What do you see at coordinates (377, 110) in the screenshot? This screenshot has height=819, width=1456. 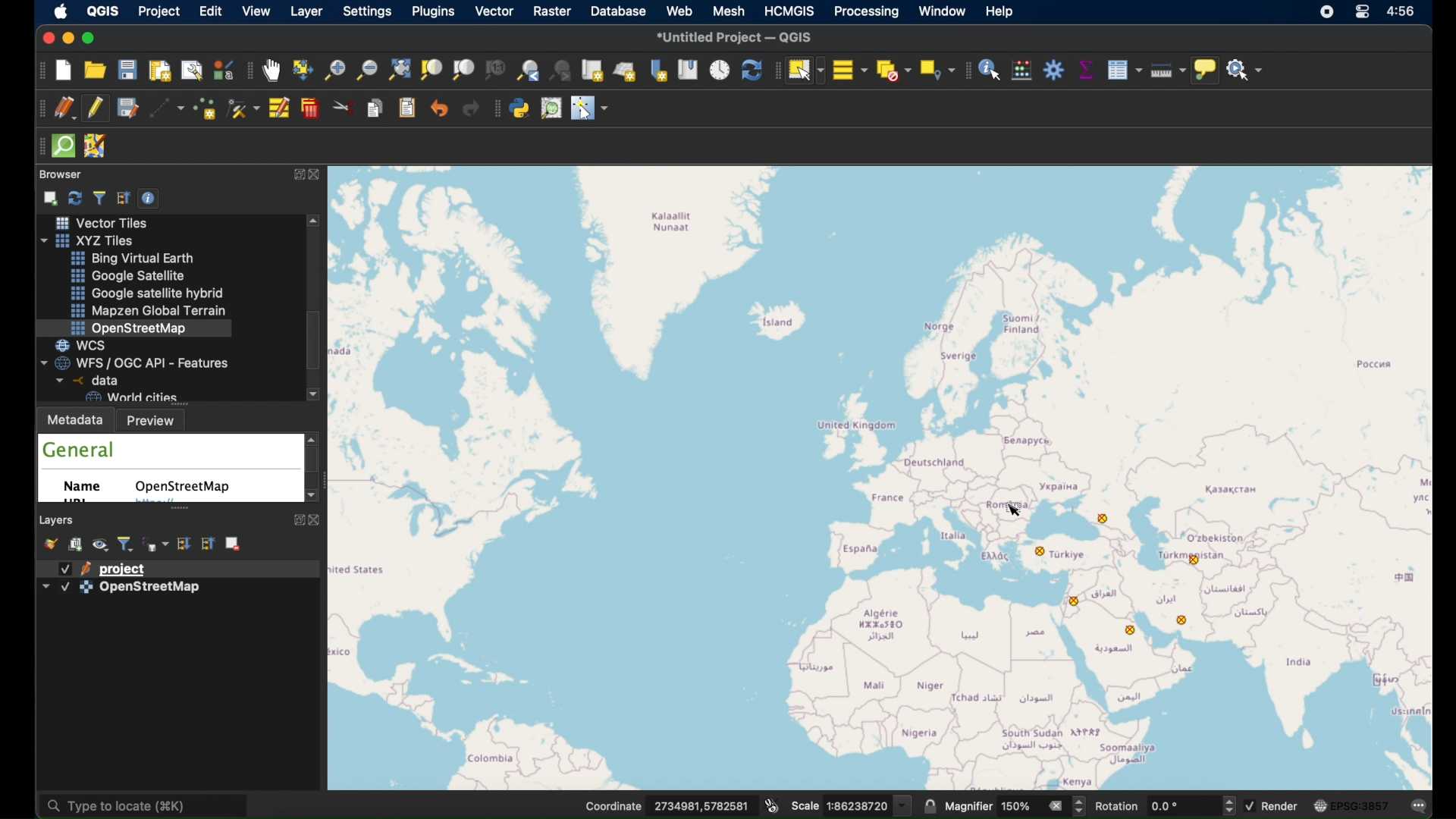 I see `copy features` at bounding box center [377, 110].